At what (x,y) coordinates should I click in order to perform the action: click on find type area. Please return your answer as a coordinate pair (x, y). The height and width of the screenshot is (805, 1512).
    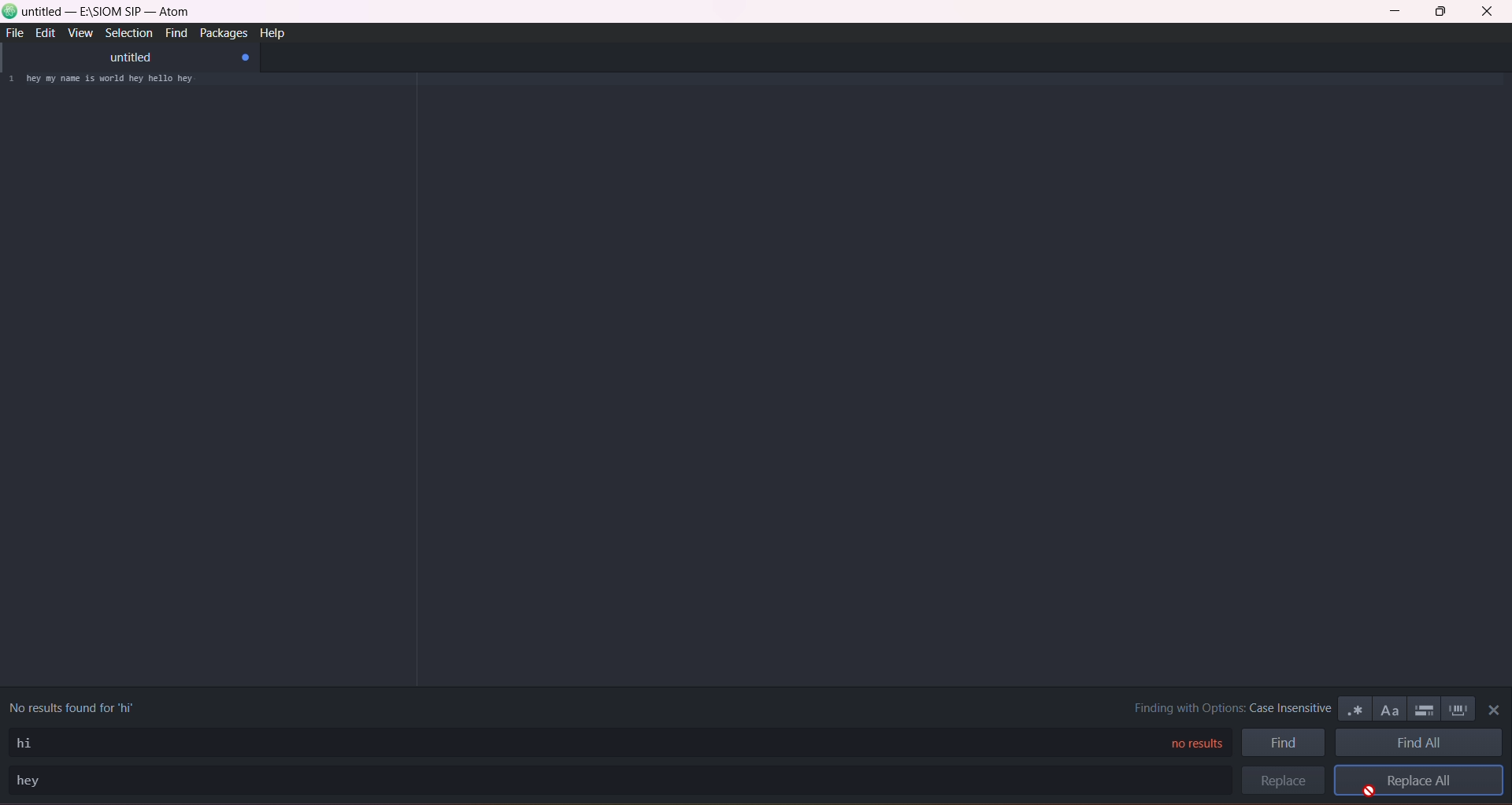
    Looking at the image, I should click on (598, 744).